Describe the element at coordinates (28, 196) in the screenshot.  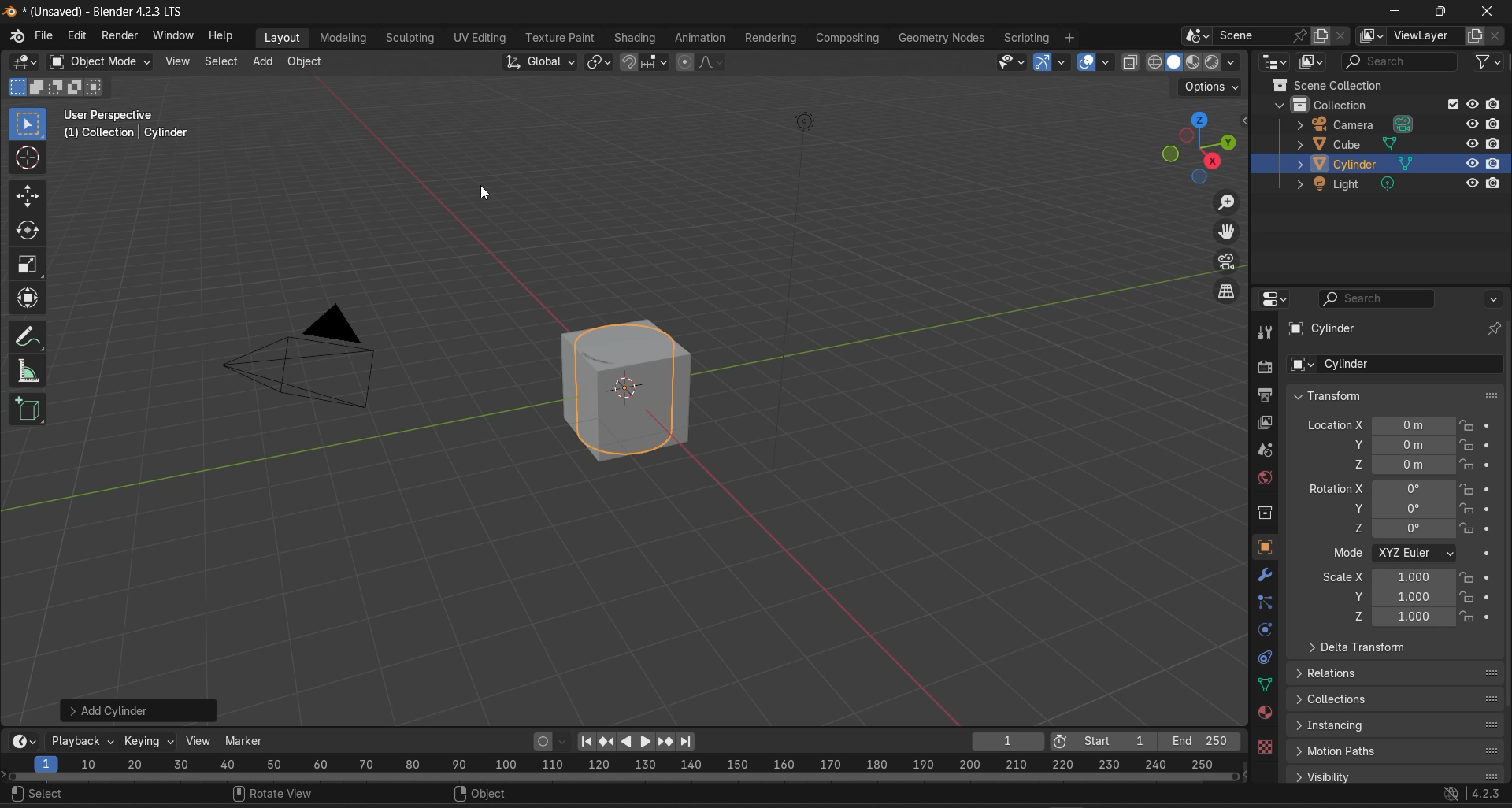
I see `move` at that location.